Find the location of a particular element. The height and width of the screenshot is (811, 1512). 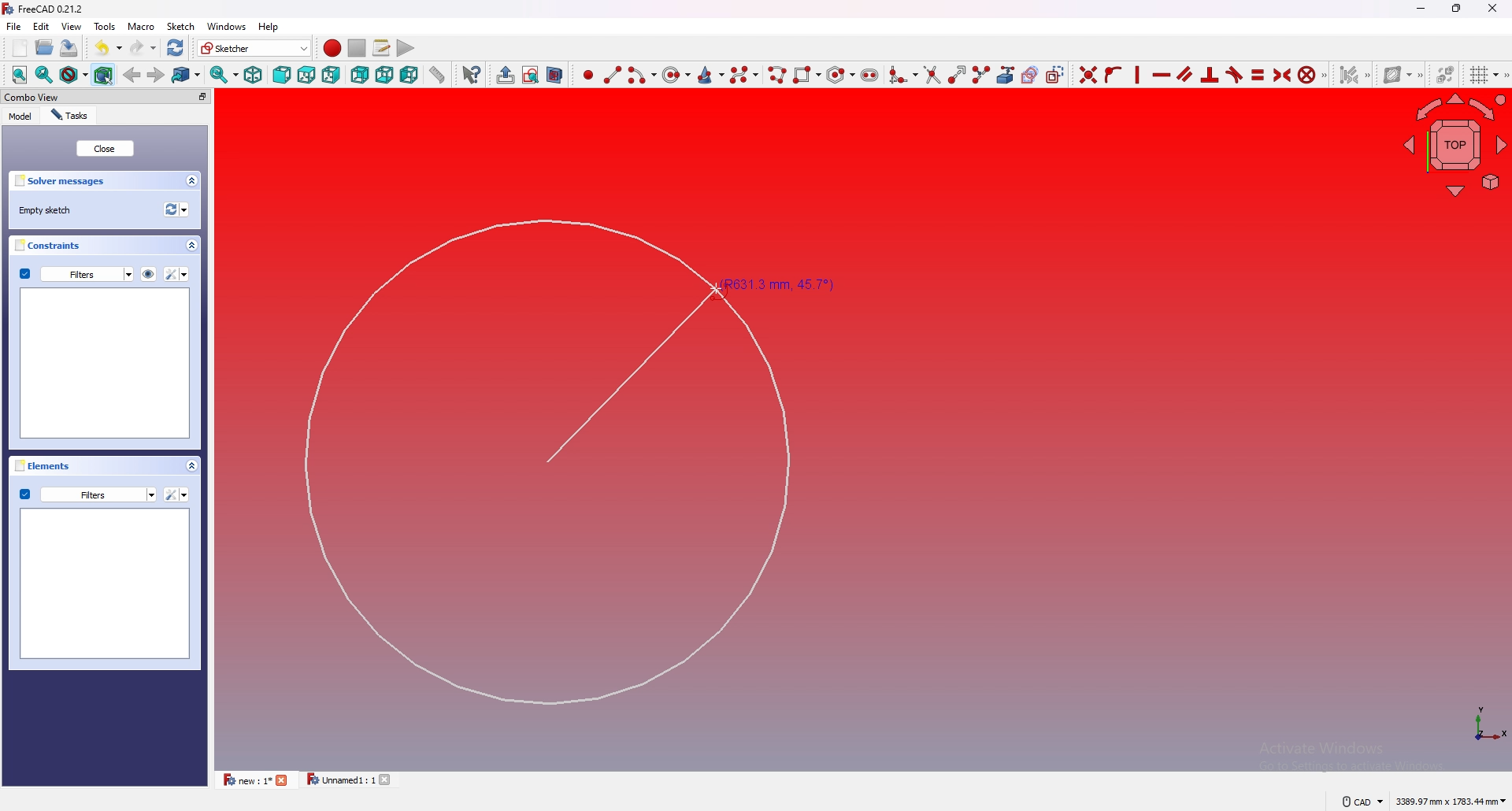

forward is located at coordinates (157, 74).